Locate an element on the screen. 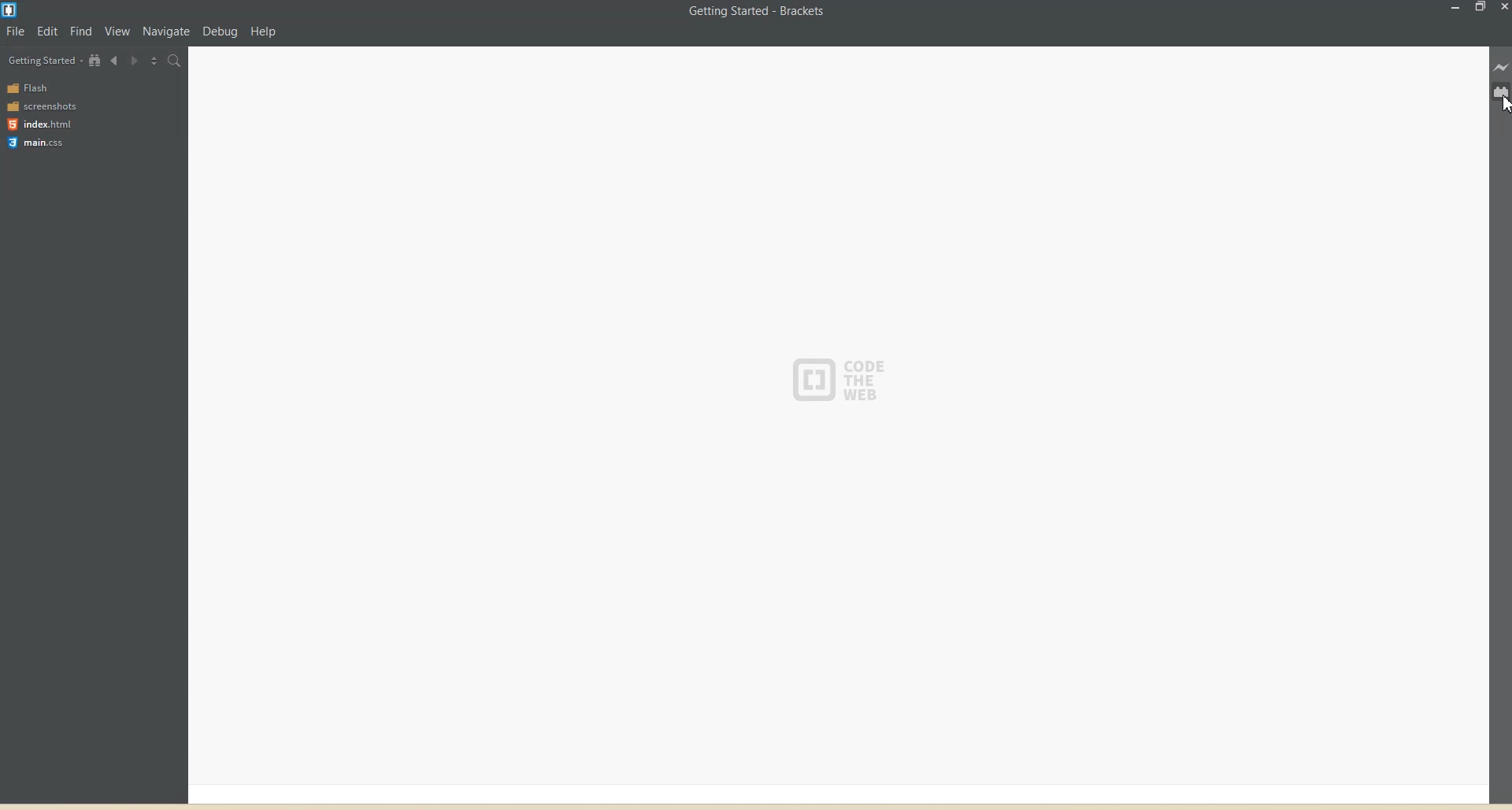 The width and height of the screenshot is (1512, 810). CODE THE WEB is located at coordinates (847, 374).